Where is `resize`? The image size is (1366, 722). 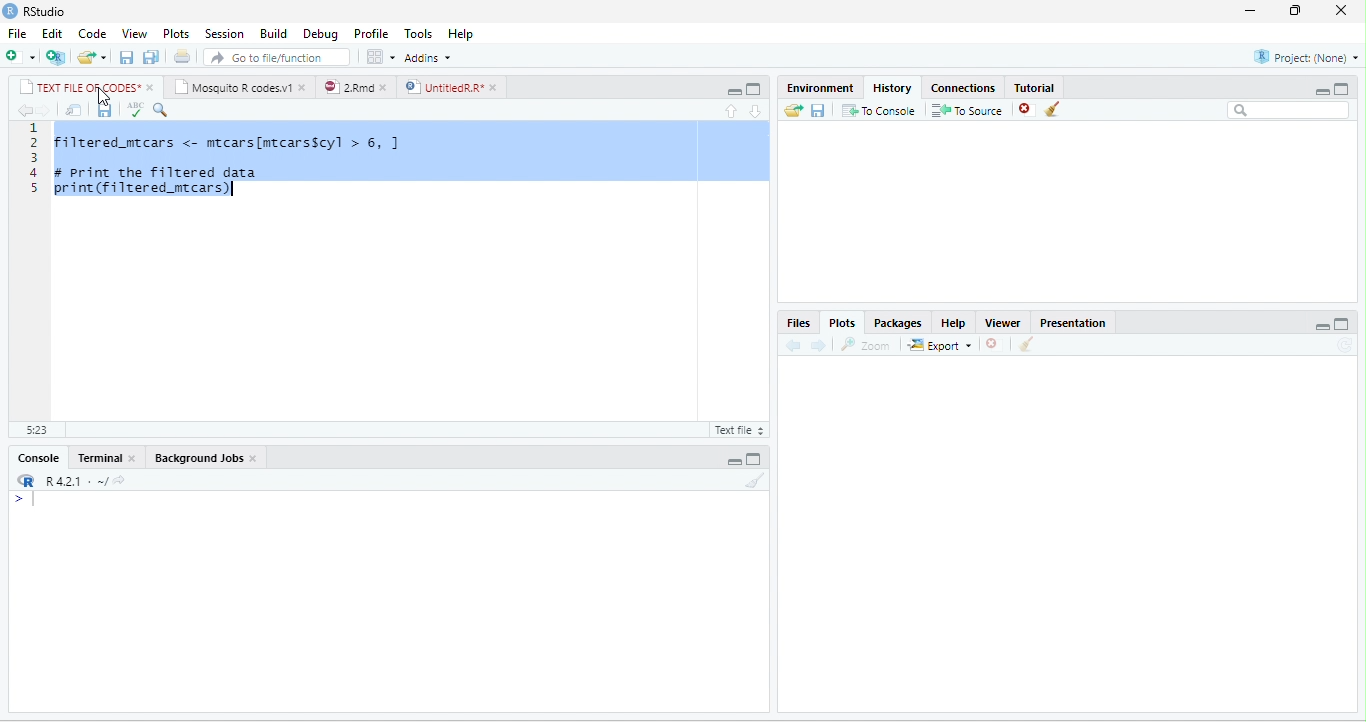 resize is located at coordinates (1292, 11).